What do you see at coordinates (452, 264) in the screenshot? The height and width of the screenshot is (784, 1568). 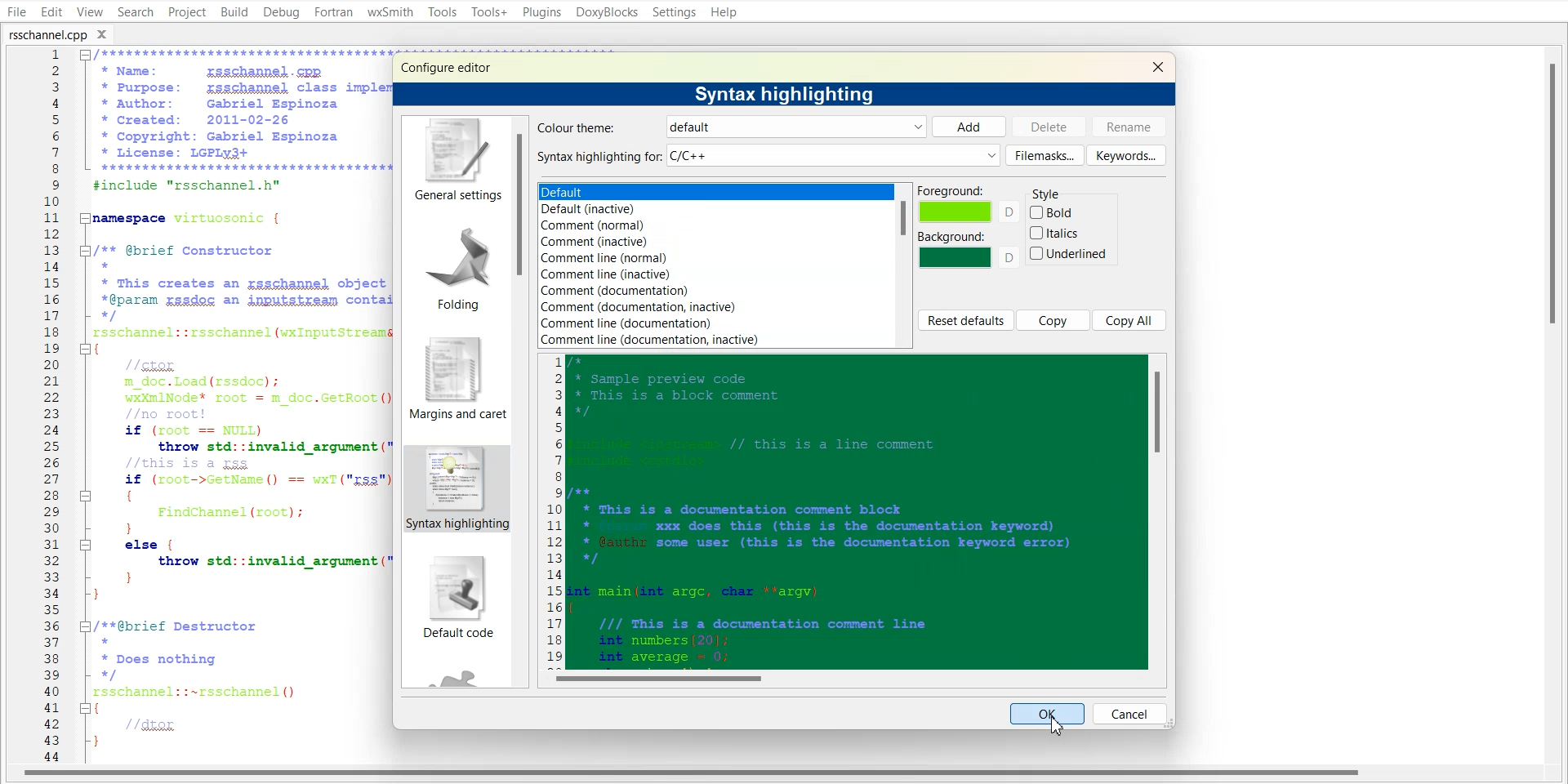 I see `Folding` at bounding box center [452, 264].